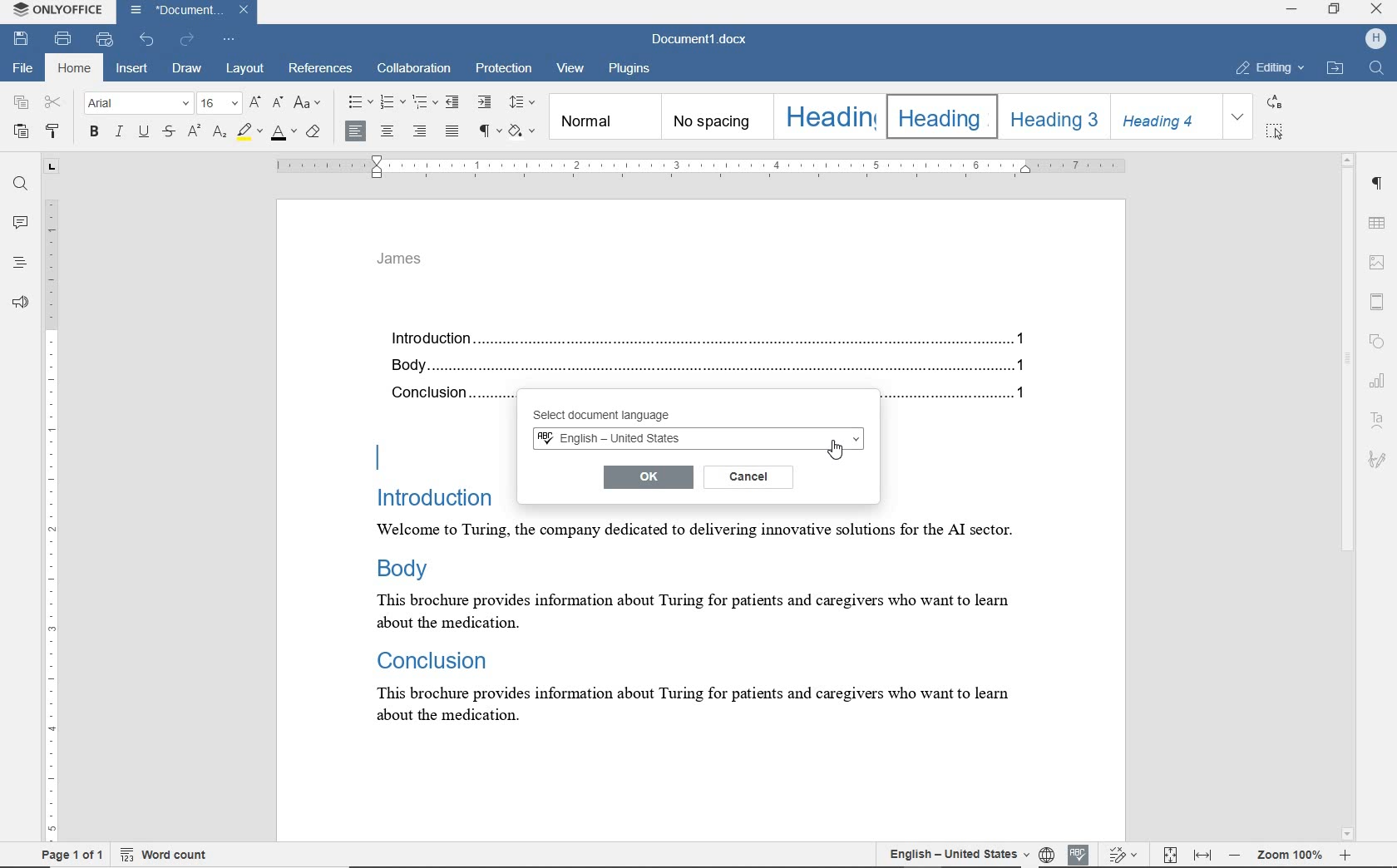 The width and height of the screenshot is (1397, 868). I want to click on feedback & support, so click(18, 302).